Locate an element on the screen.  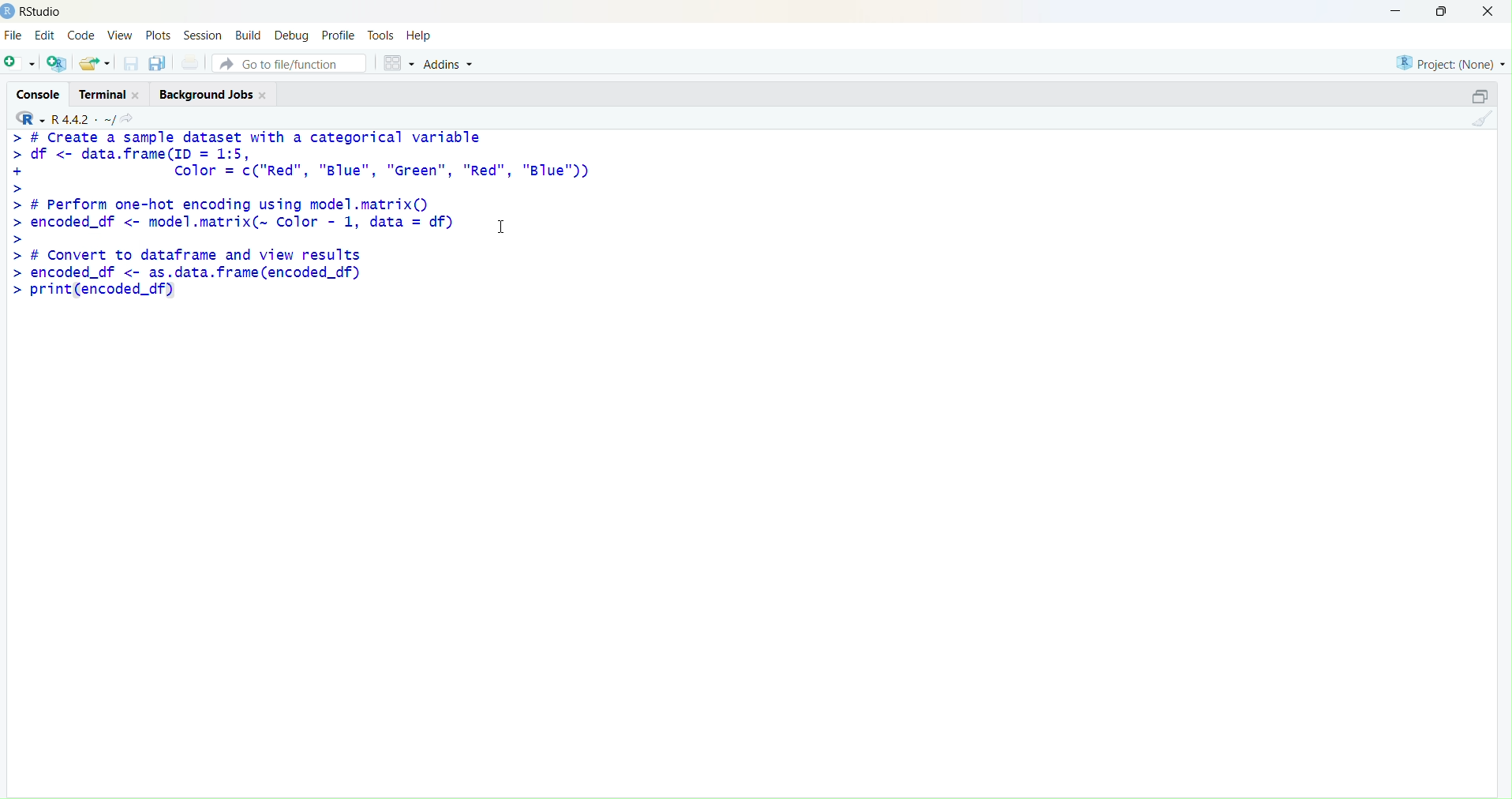
save is located at coordinates (133, 63).